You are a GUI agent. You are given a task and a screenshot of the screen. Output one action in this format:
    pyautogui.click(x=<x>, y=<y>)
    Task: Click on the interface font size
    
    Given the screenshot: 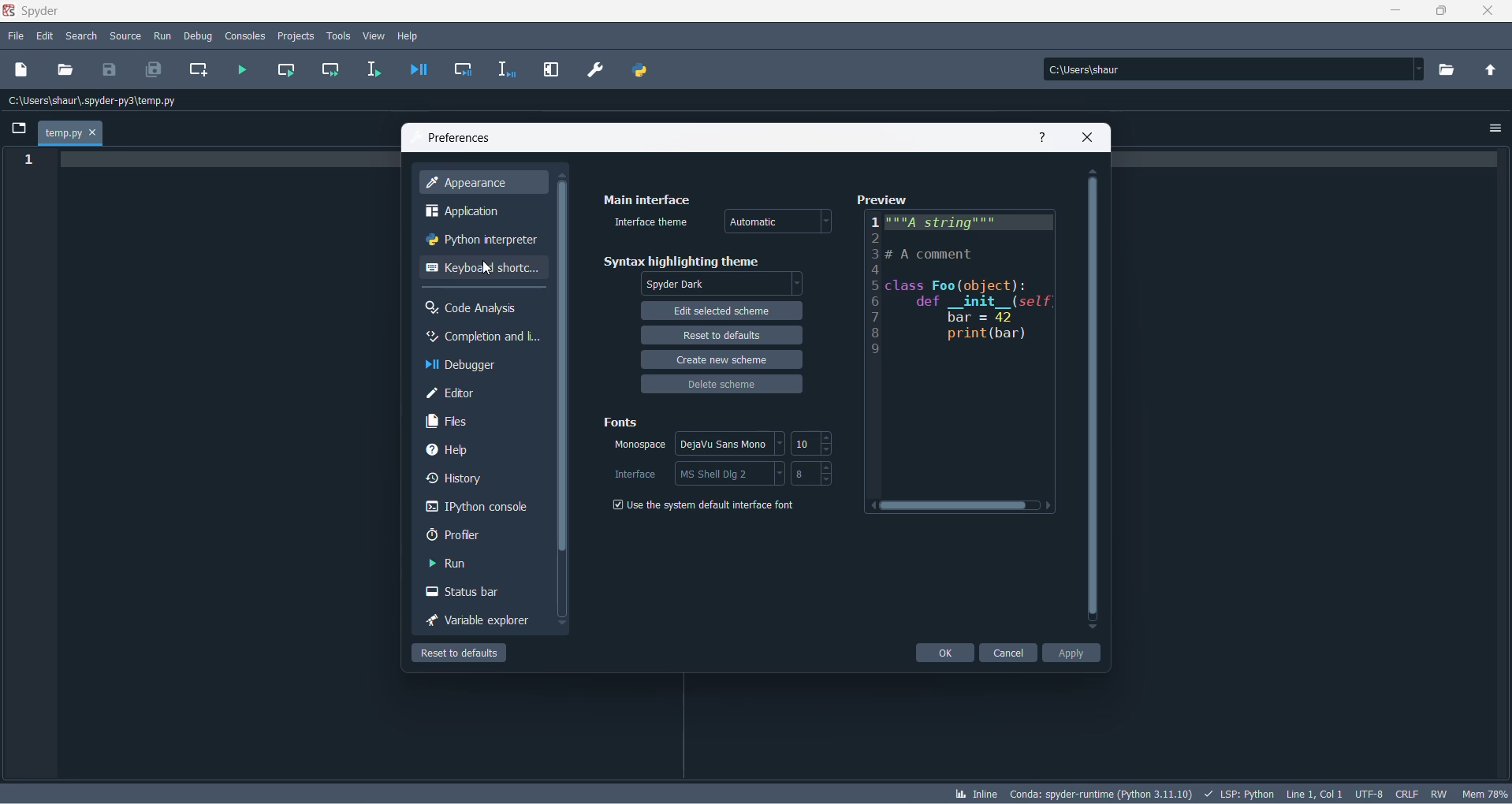 What is the action you would take?
    pyautogui.click(x=803, y=473)
    